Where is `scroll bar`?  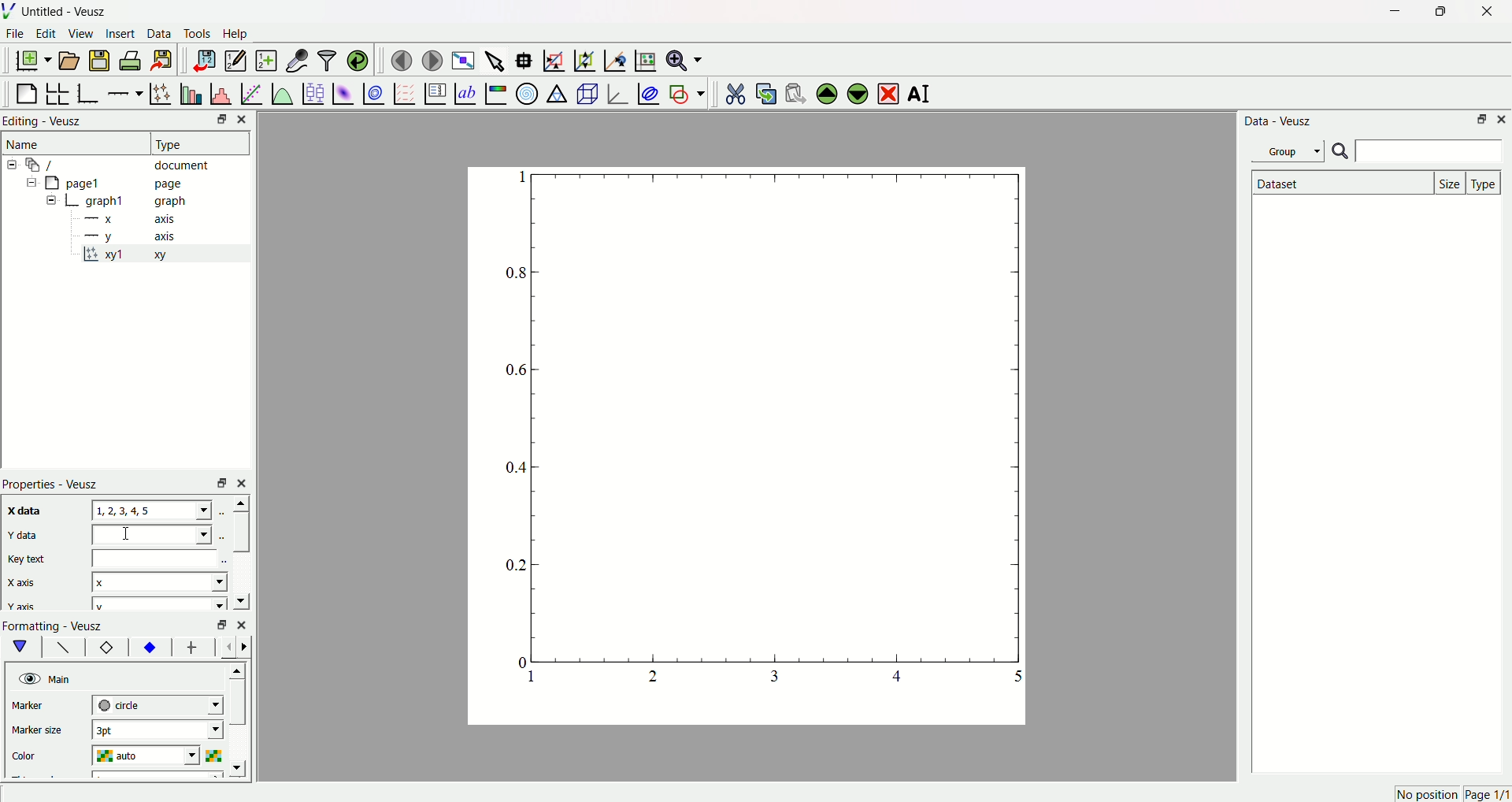 scroll bar is located at coordinates (240, 532).